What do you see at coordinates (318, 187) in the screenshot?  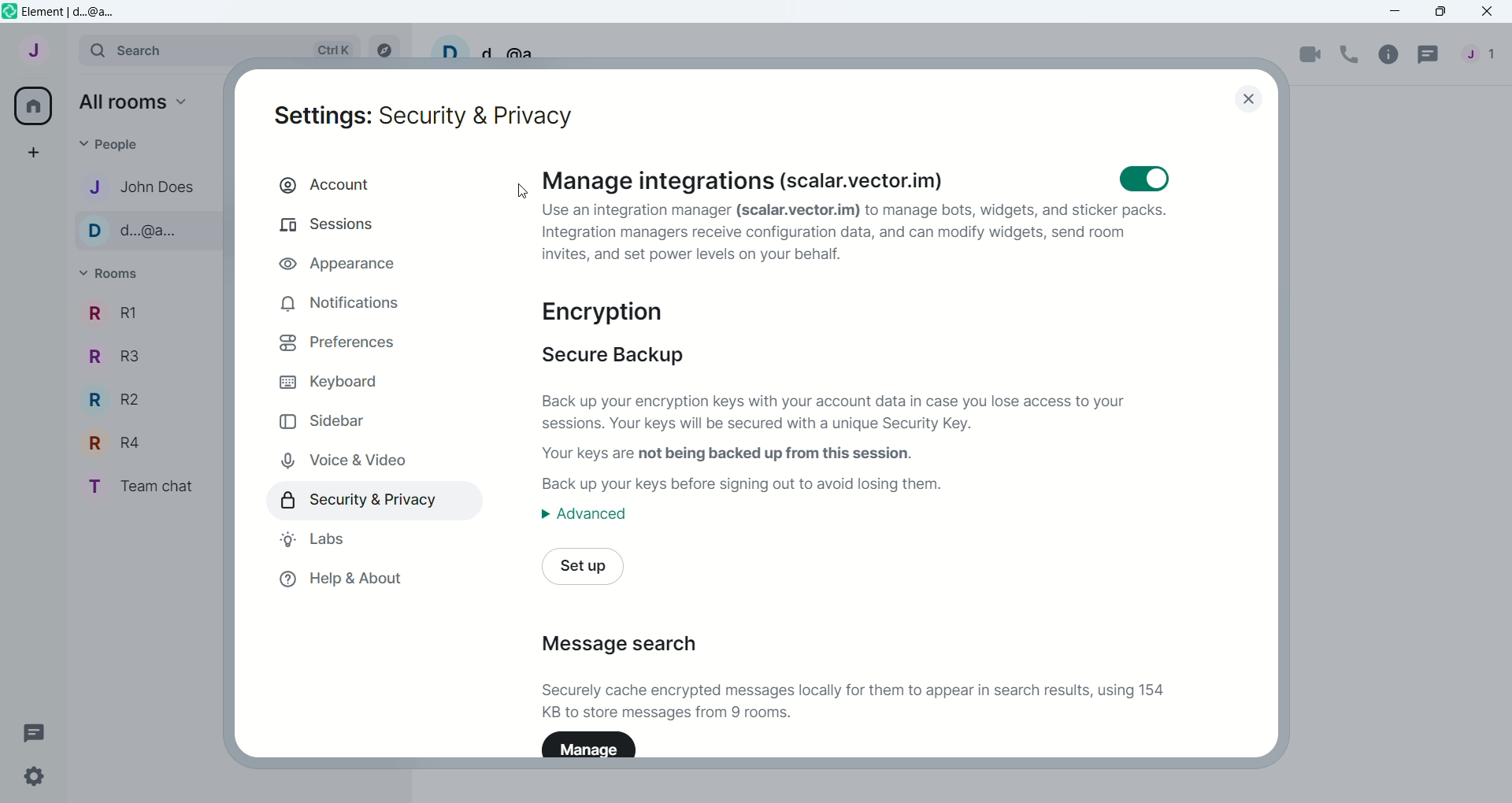 I see `account` at bounding box center [318, 187].